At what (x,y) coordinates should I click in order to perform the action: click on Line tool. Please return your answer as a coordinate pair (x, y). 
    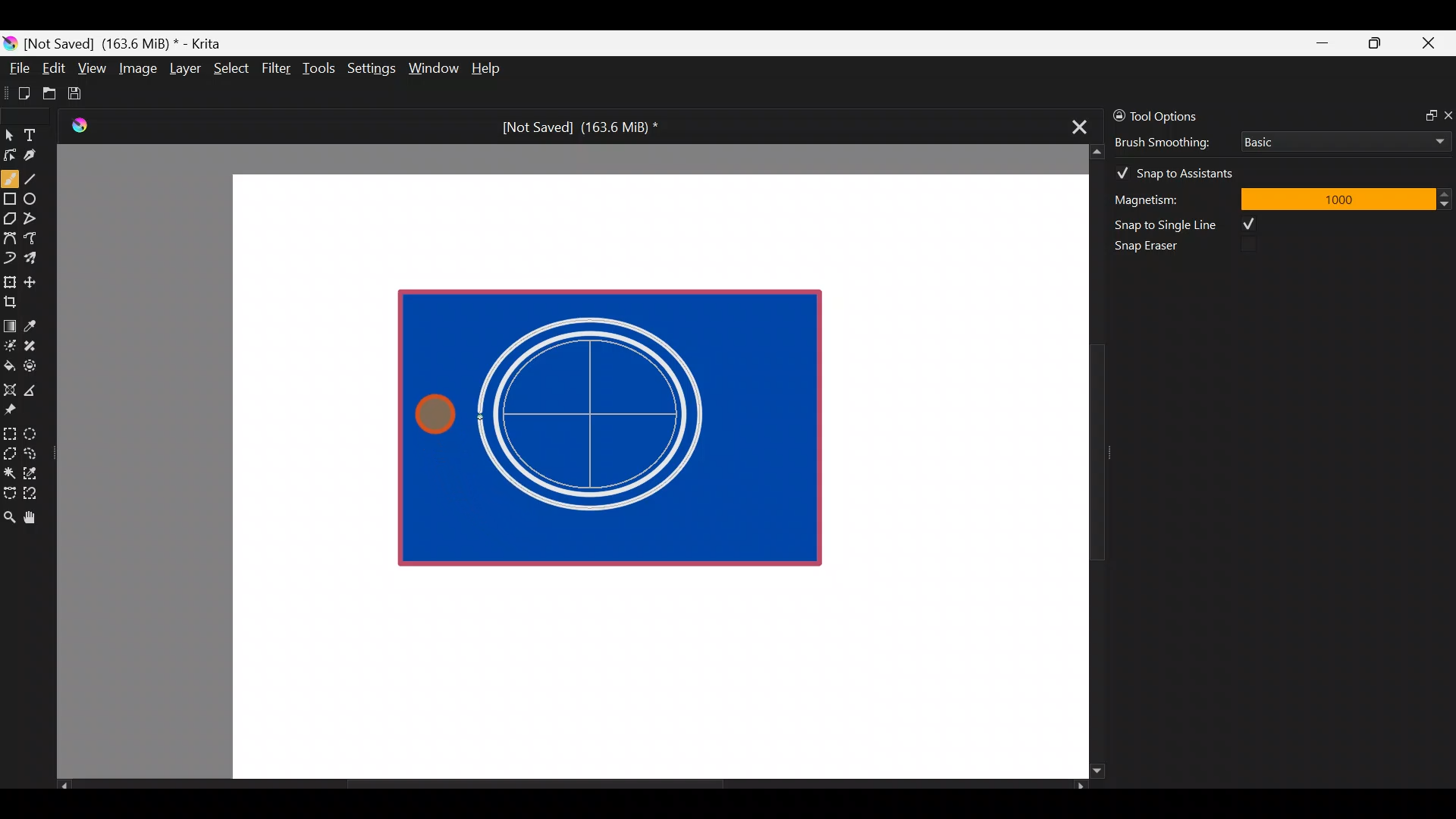
    Looking at the image, I should click on (40, 177).